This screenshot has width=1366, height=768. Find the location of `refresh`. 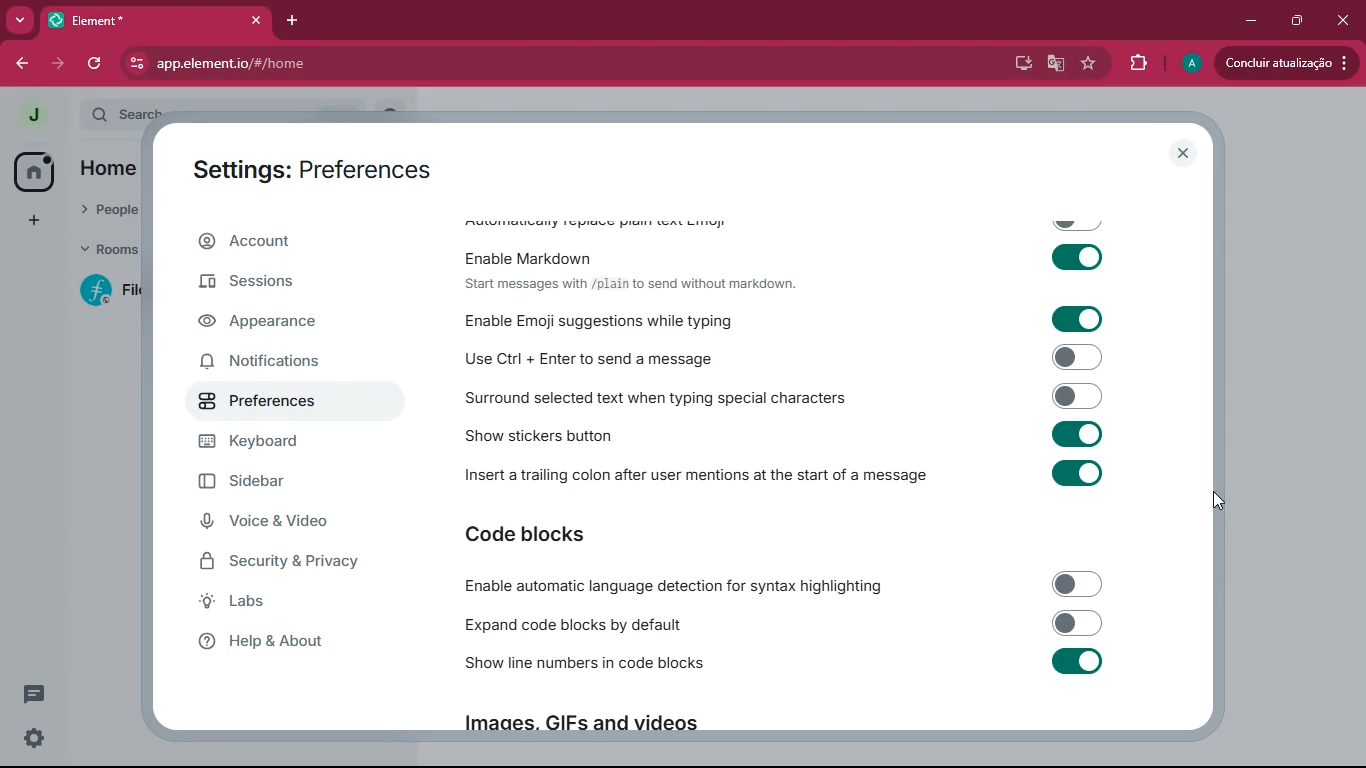

refresh is located at coordinates (97, 63).